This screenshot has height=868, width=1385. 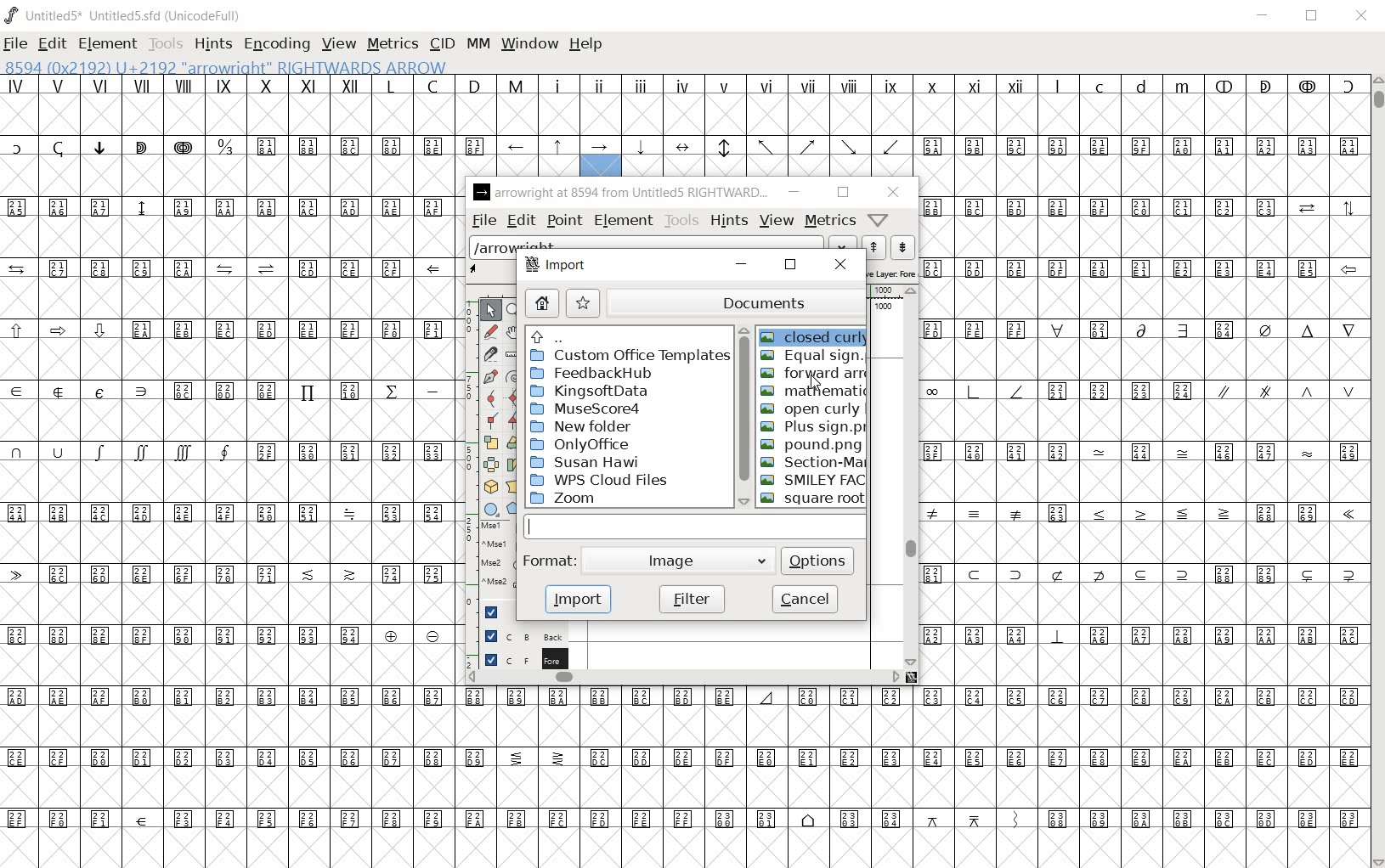 I want to click on TOOLS, so click(x=164, y=45).